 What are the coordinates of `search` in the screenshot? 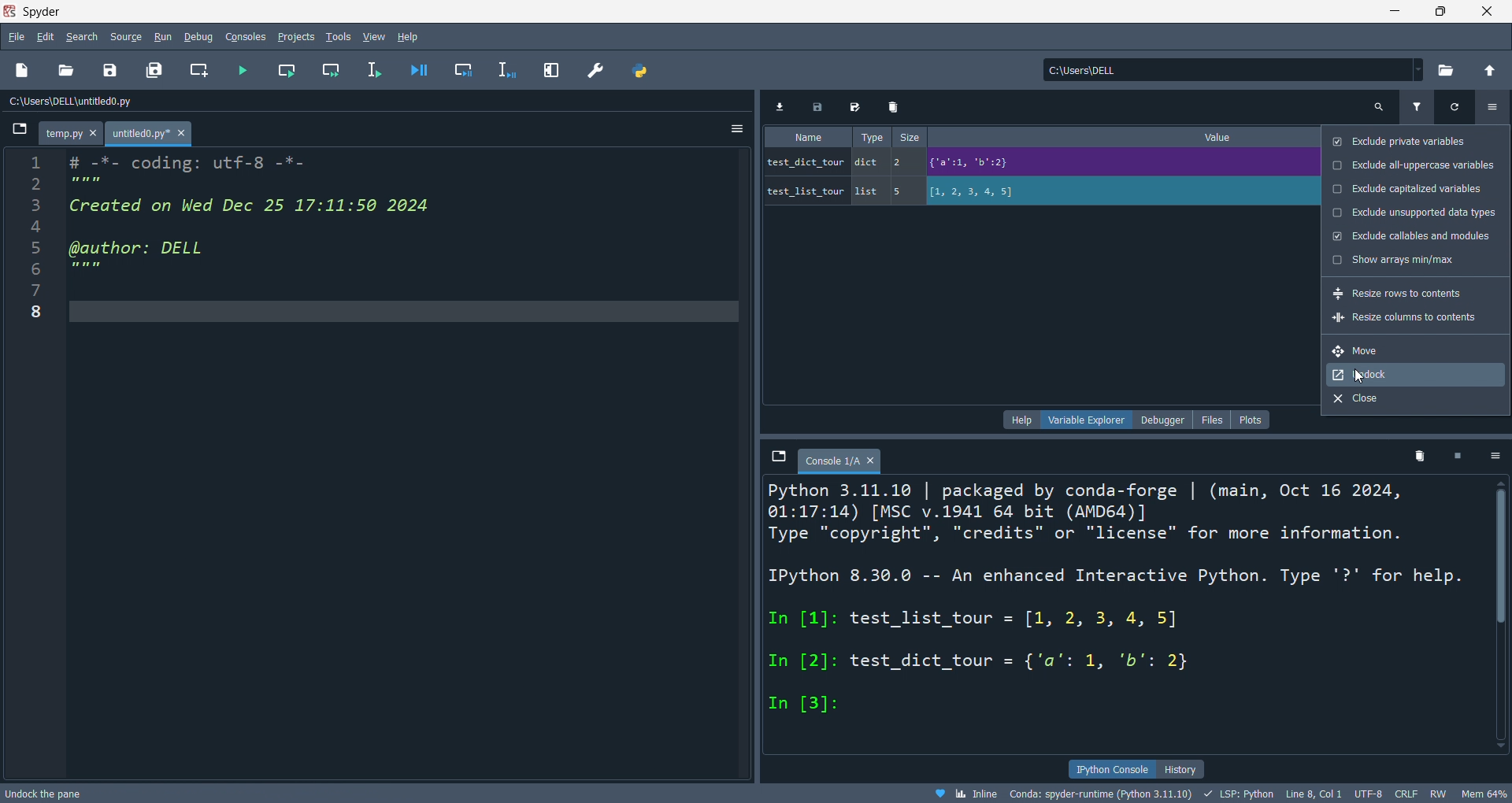 It's located at (1384, 106).